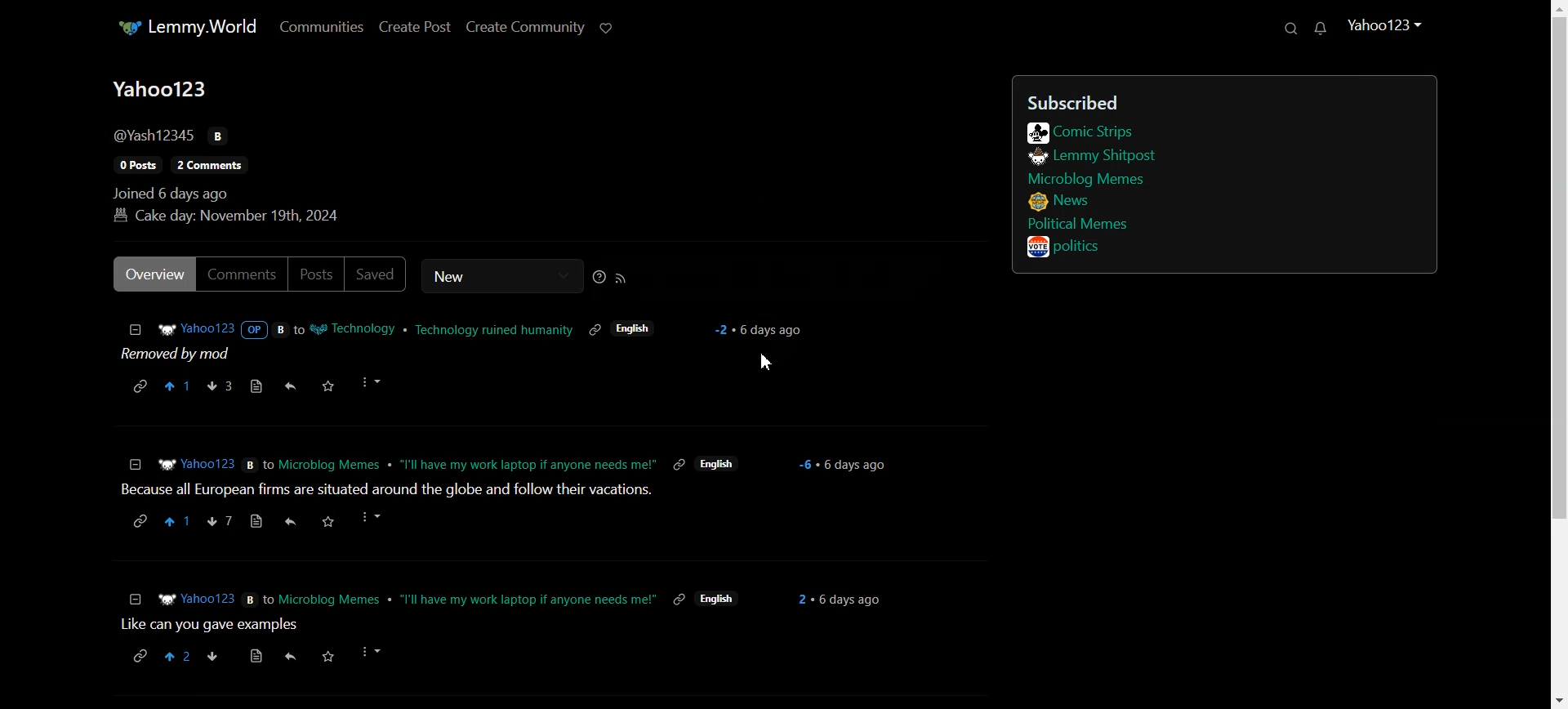 Image resolution: width=1568 pixels, height=709 pixels. I want to click on 2, so click(803, 599).